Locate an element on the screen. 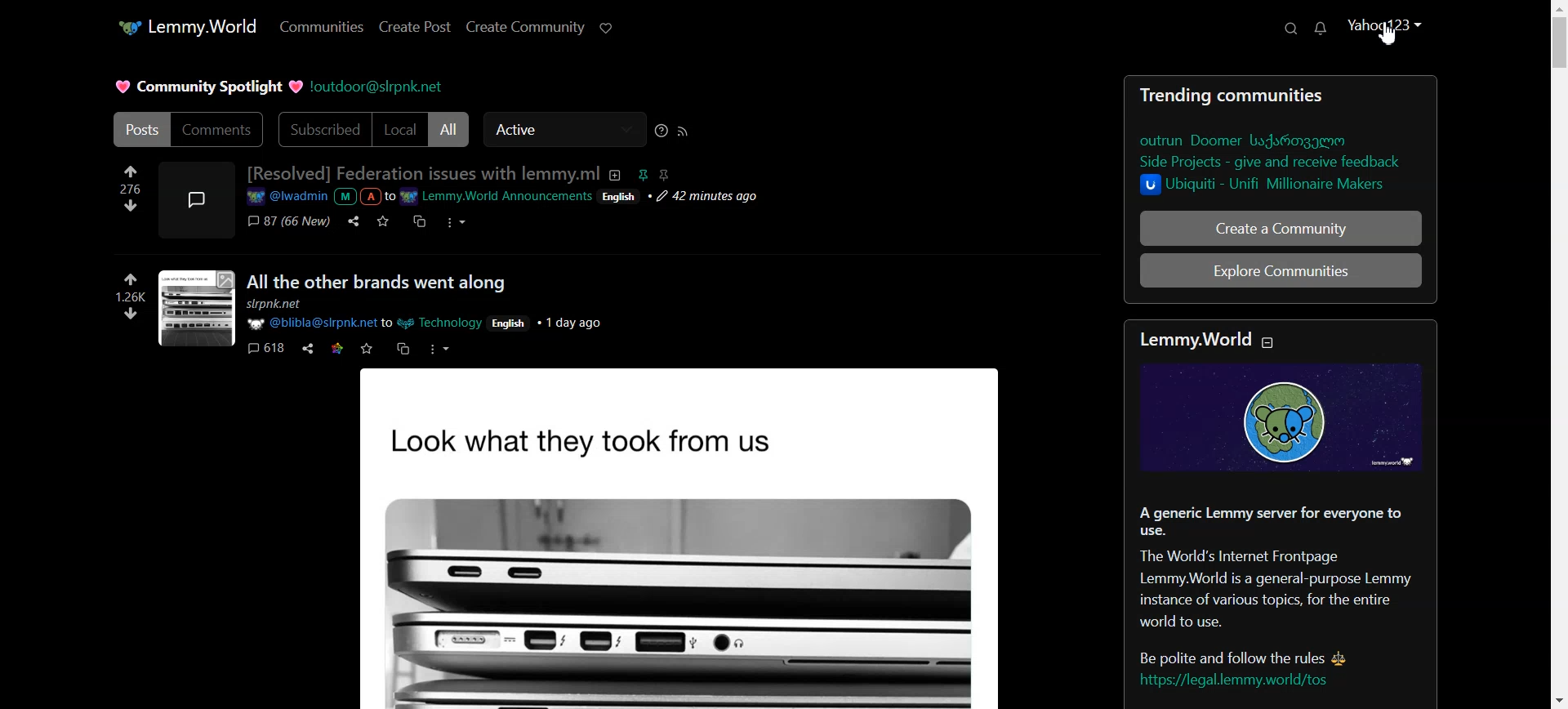 The height and width of the screenshot is (709, 1568). @blibla@slrpnk.net is located at coordinates (310, 323).